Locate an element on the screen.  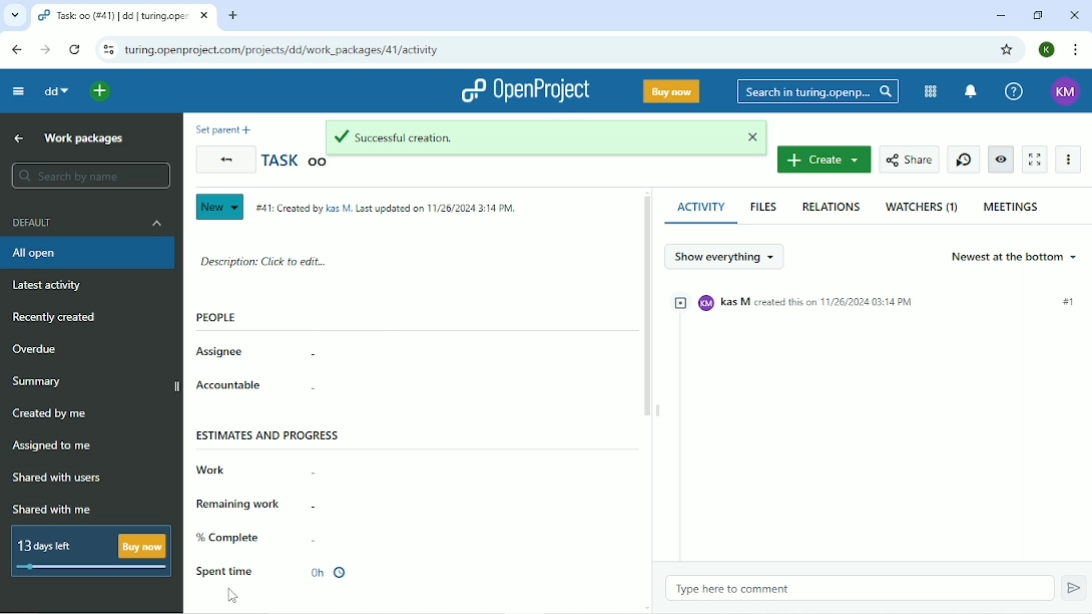
K is located at coordinates (1046, 49).